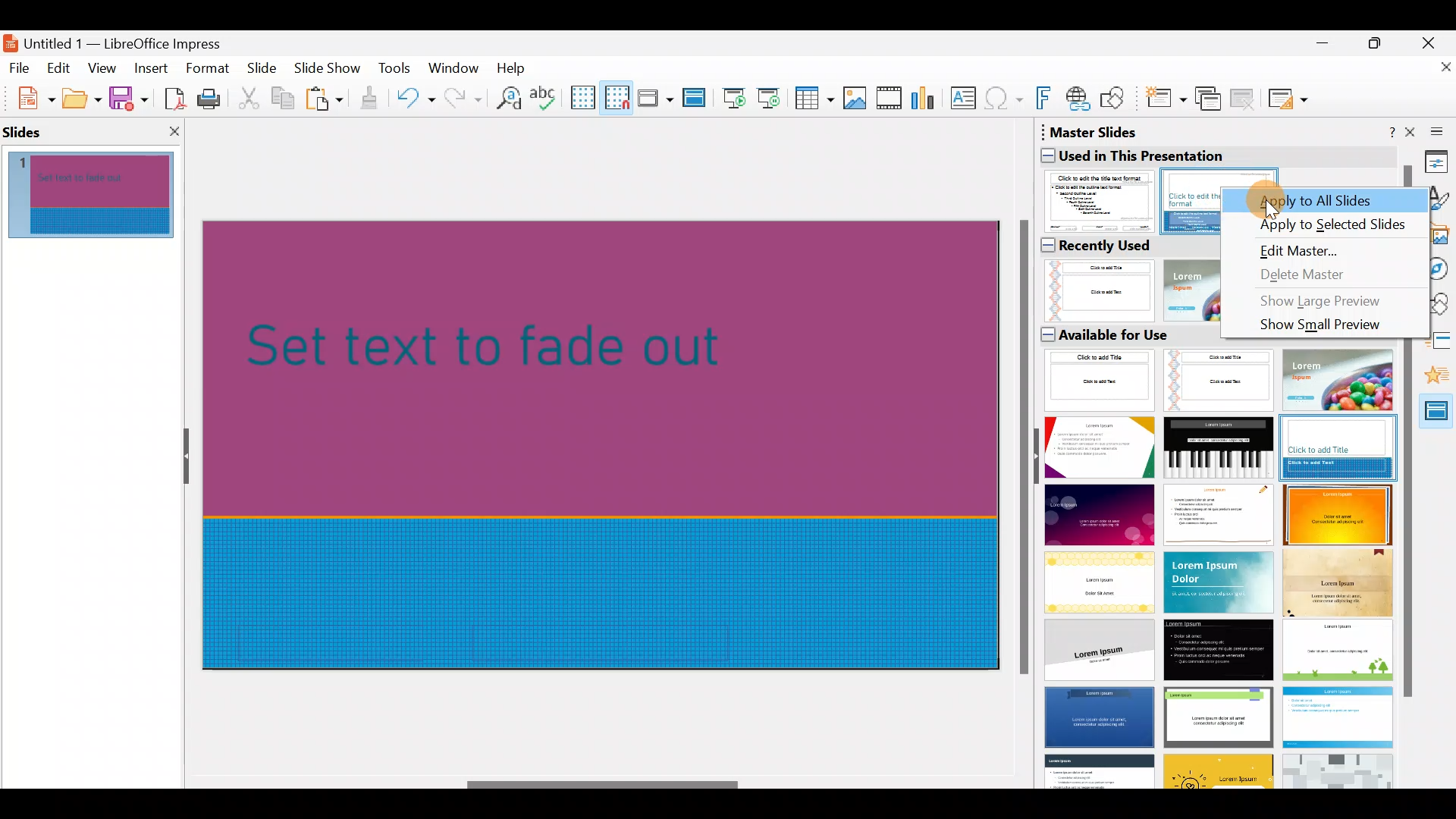 The image size is (1456, 819). Describe the element at coordinates (100, 196) in the screenshot. I see `Slide pane` at that location.